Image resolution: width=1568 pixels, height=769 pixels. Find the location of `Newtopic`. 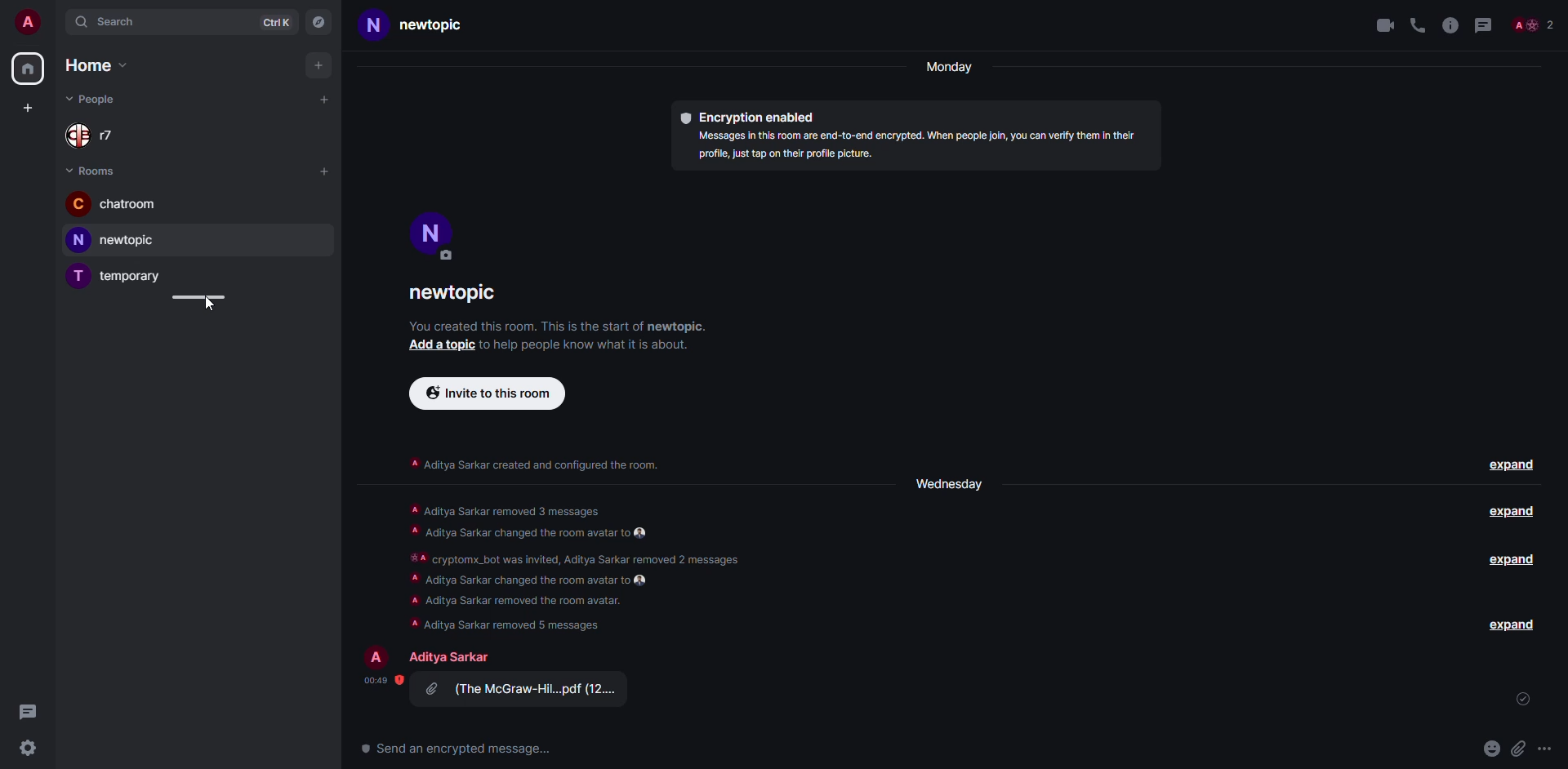

Newtopic is located at coordinates (405, 29).